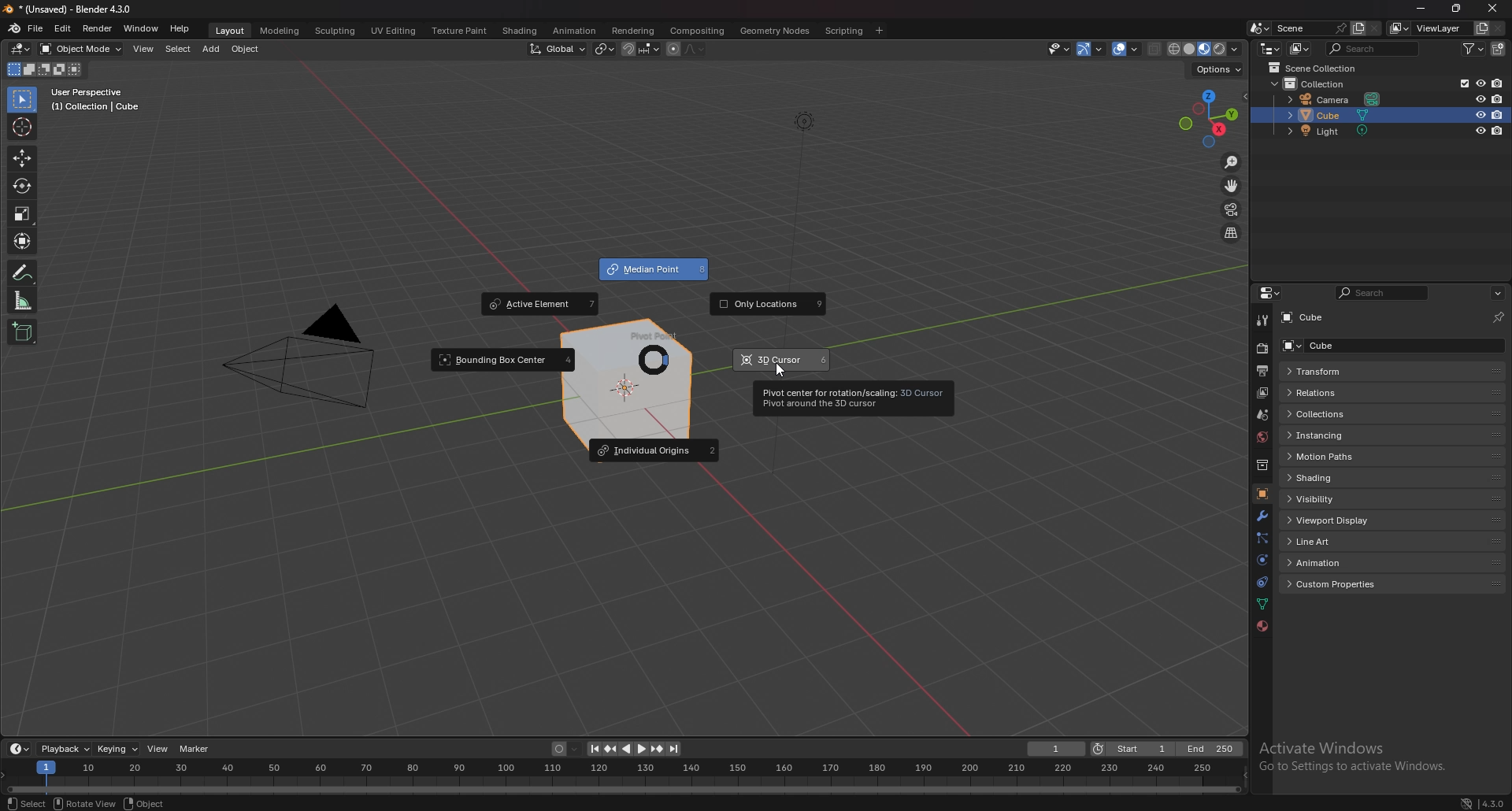 The image size is (1512, 811). I want to click on playback, so click(65, 749).